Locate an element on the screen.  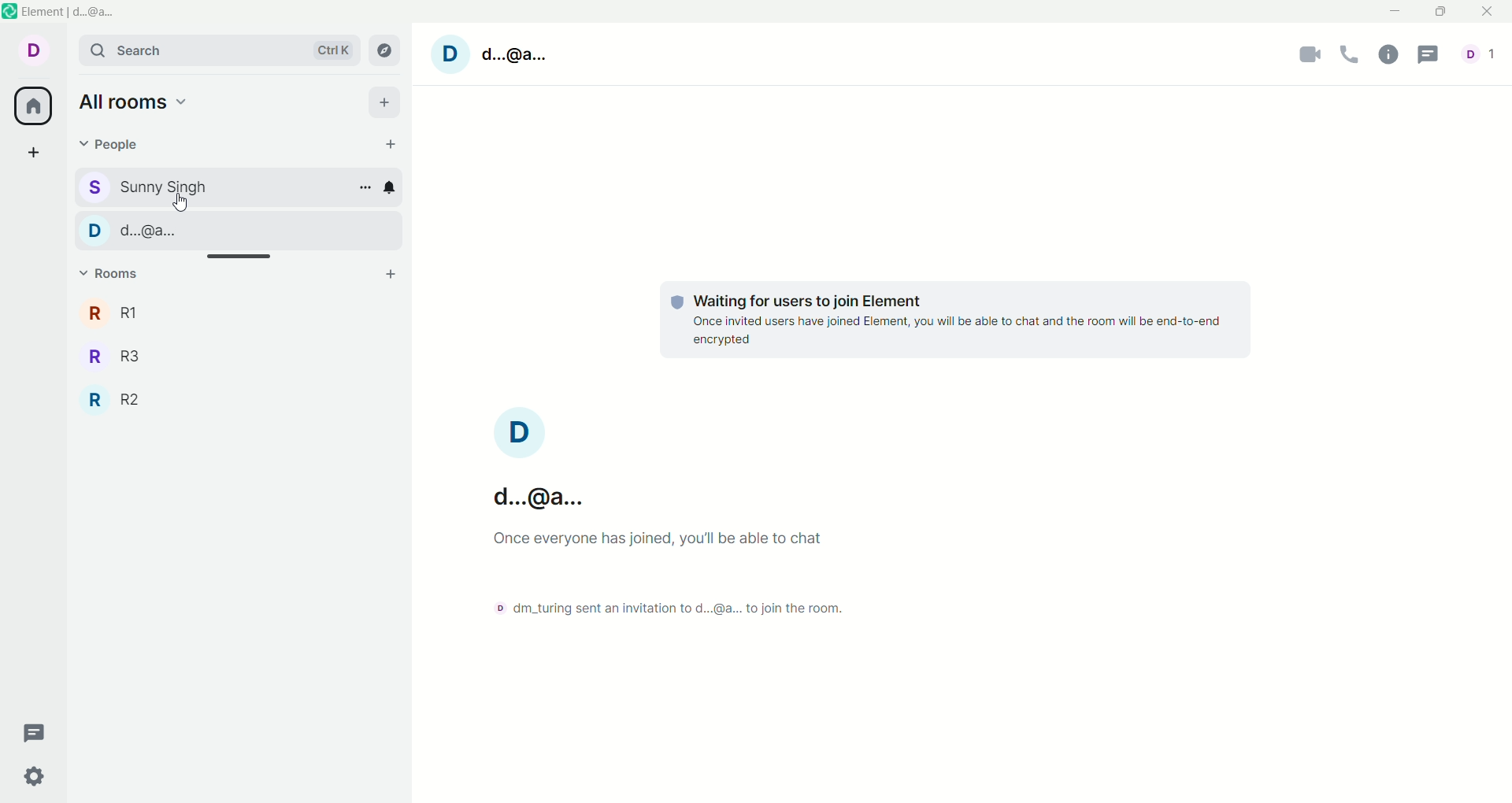
settings is located at coordinates (37, 775).